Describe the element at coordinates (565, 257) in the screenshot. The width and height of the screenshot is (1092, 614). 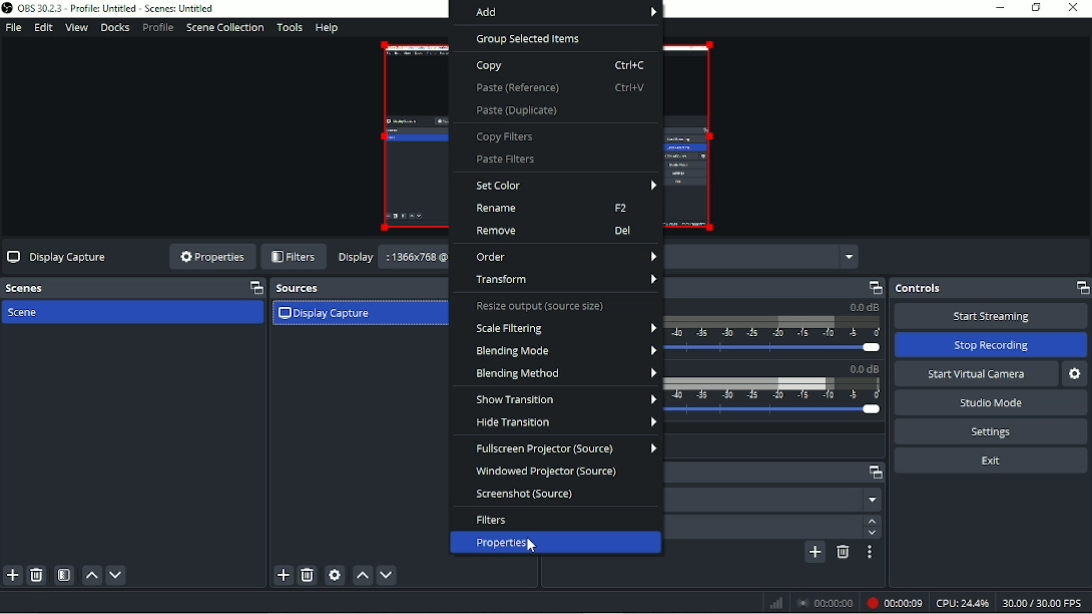
I see `Order` at that location.